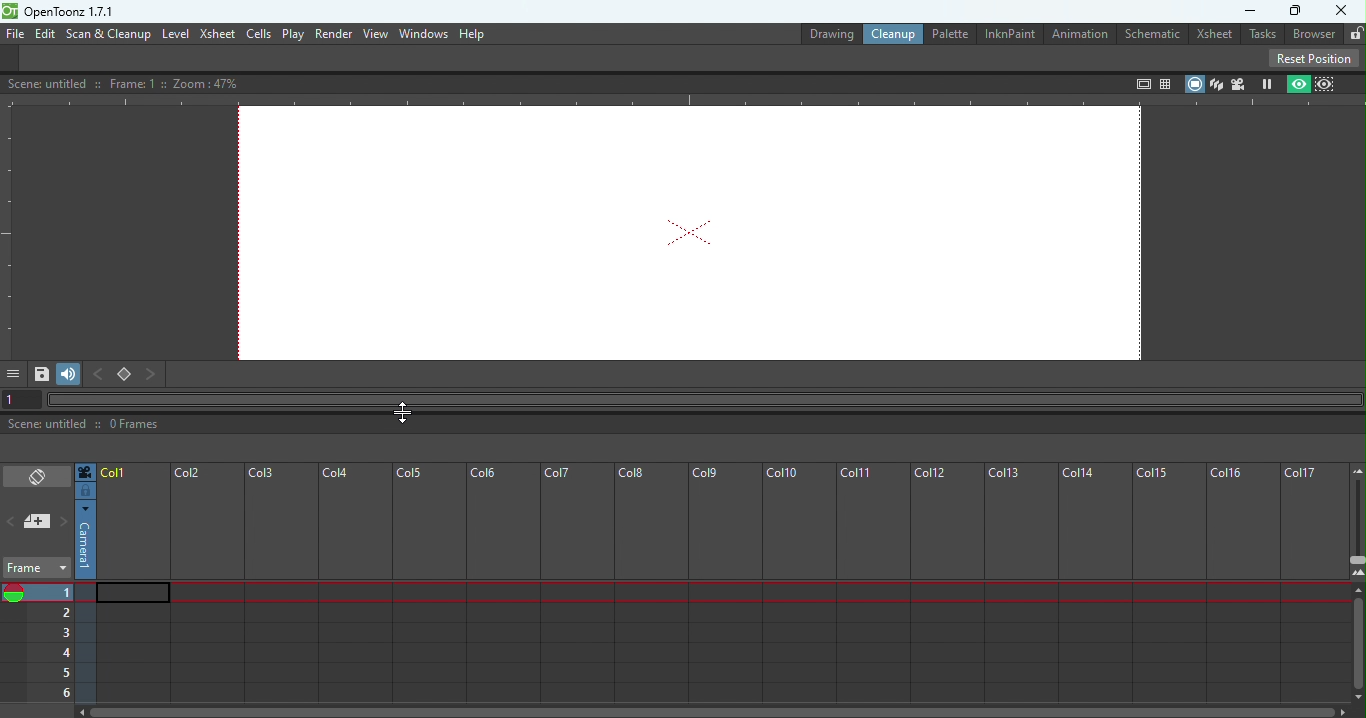  What do you see at coordinates (217, 35) in the screenshot?
I see `Xsheet` at bounding box center [217, 35].